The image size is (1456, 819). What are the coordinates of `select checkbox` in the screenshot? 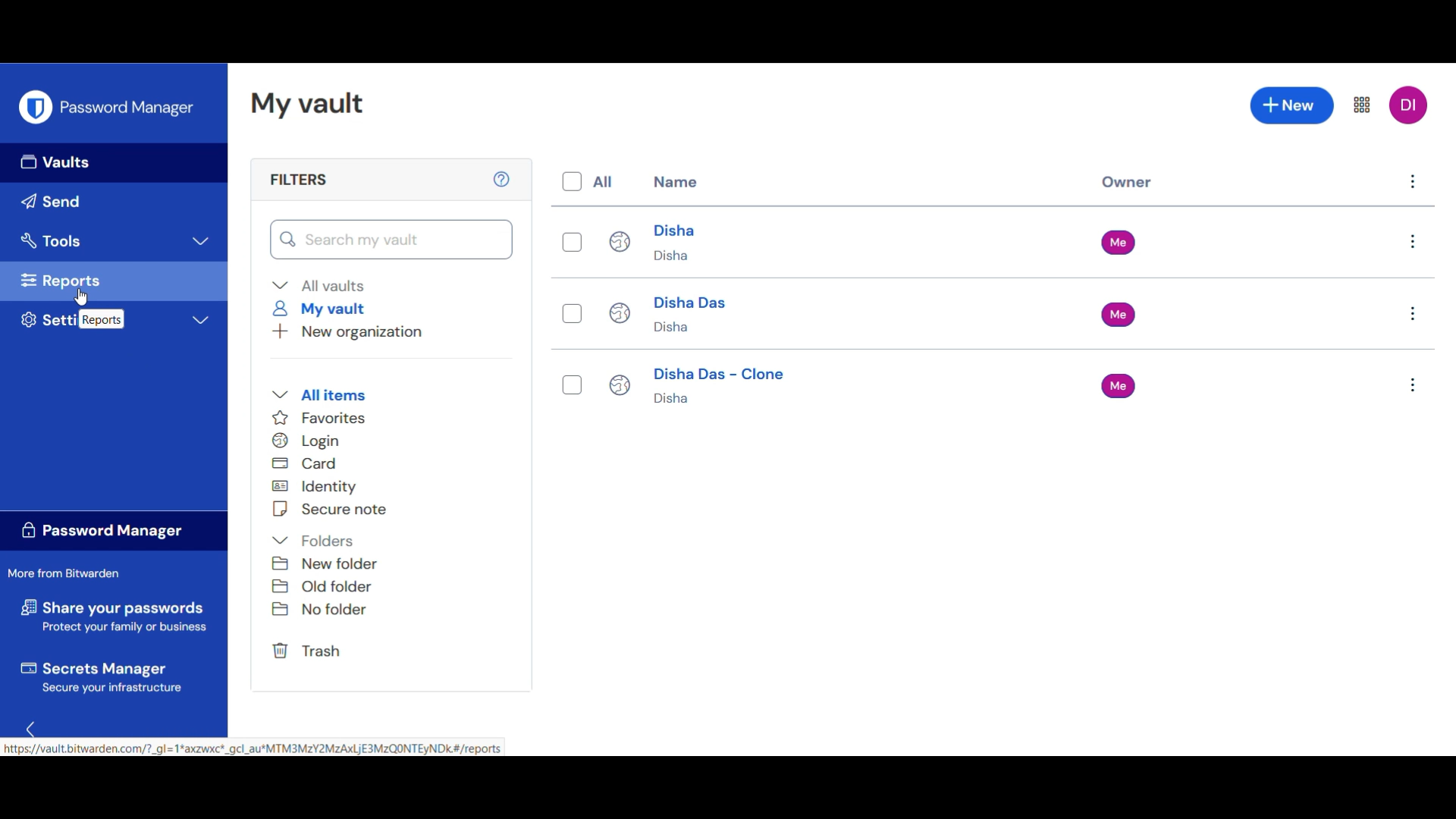 It's located at (574, 388).